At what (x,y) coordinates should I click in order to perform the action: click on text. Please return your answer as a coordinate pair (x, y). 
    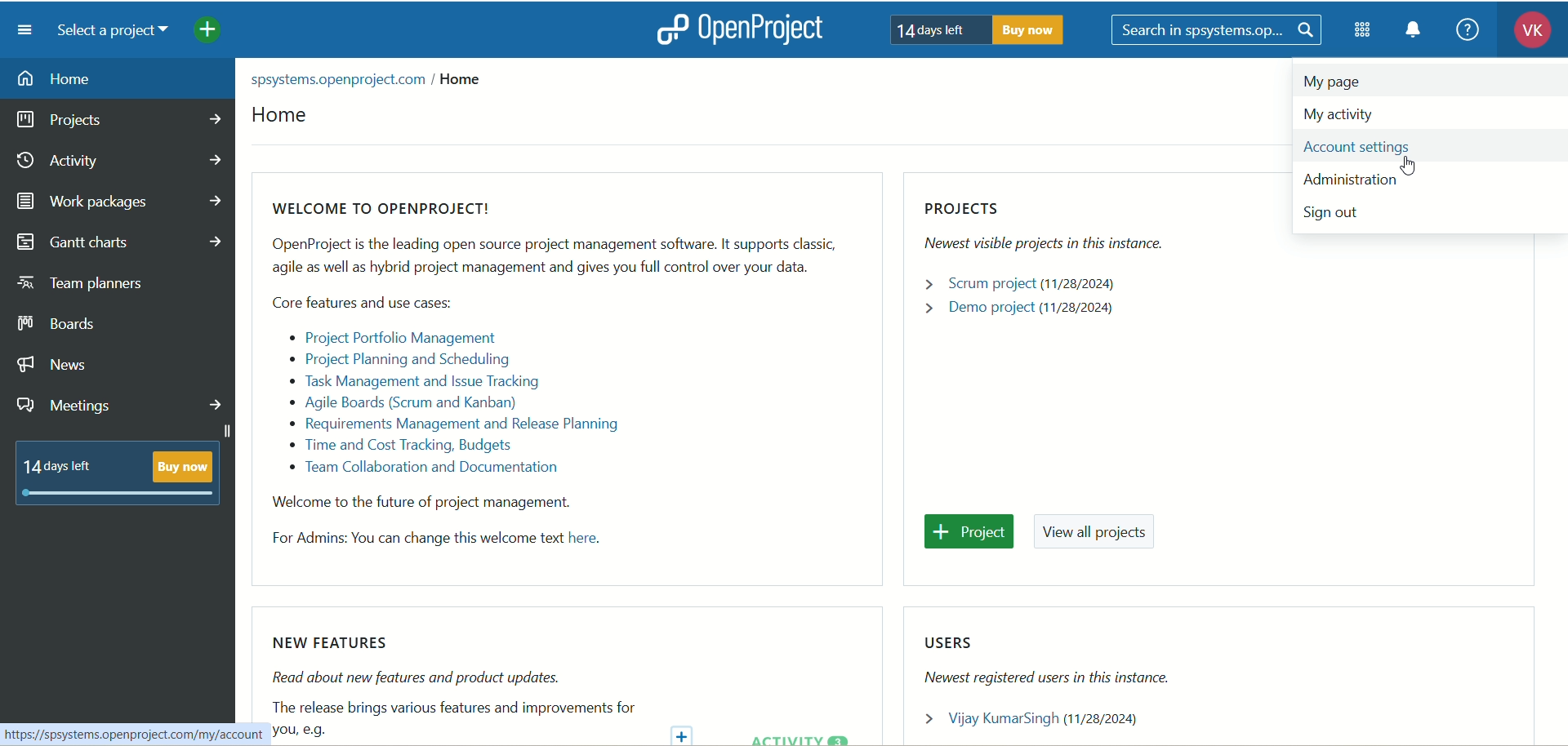
    Looking at the image, I should click on (979, 30).